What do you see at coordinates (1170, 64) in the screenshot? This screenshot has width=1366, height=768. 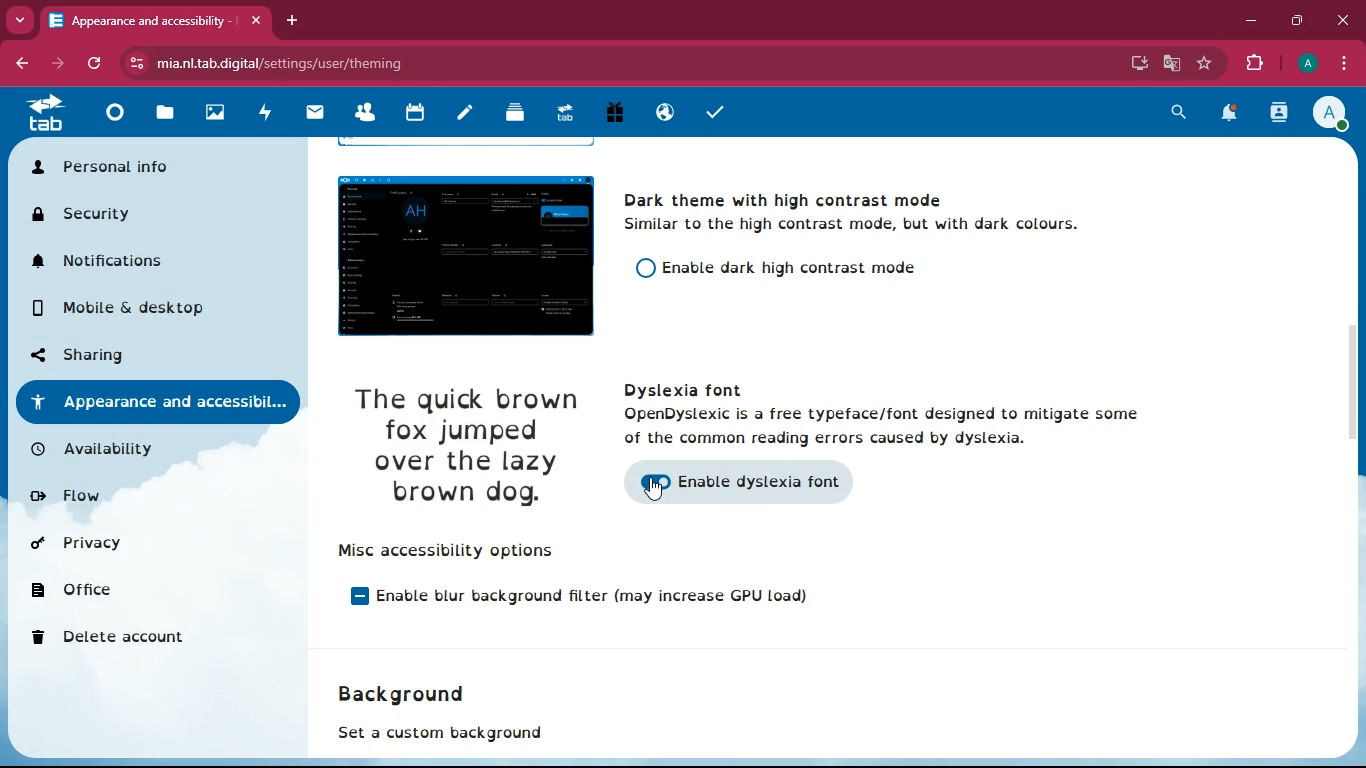 I see `google translate` at bounding box center [1170, 64].